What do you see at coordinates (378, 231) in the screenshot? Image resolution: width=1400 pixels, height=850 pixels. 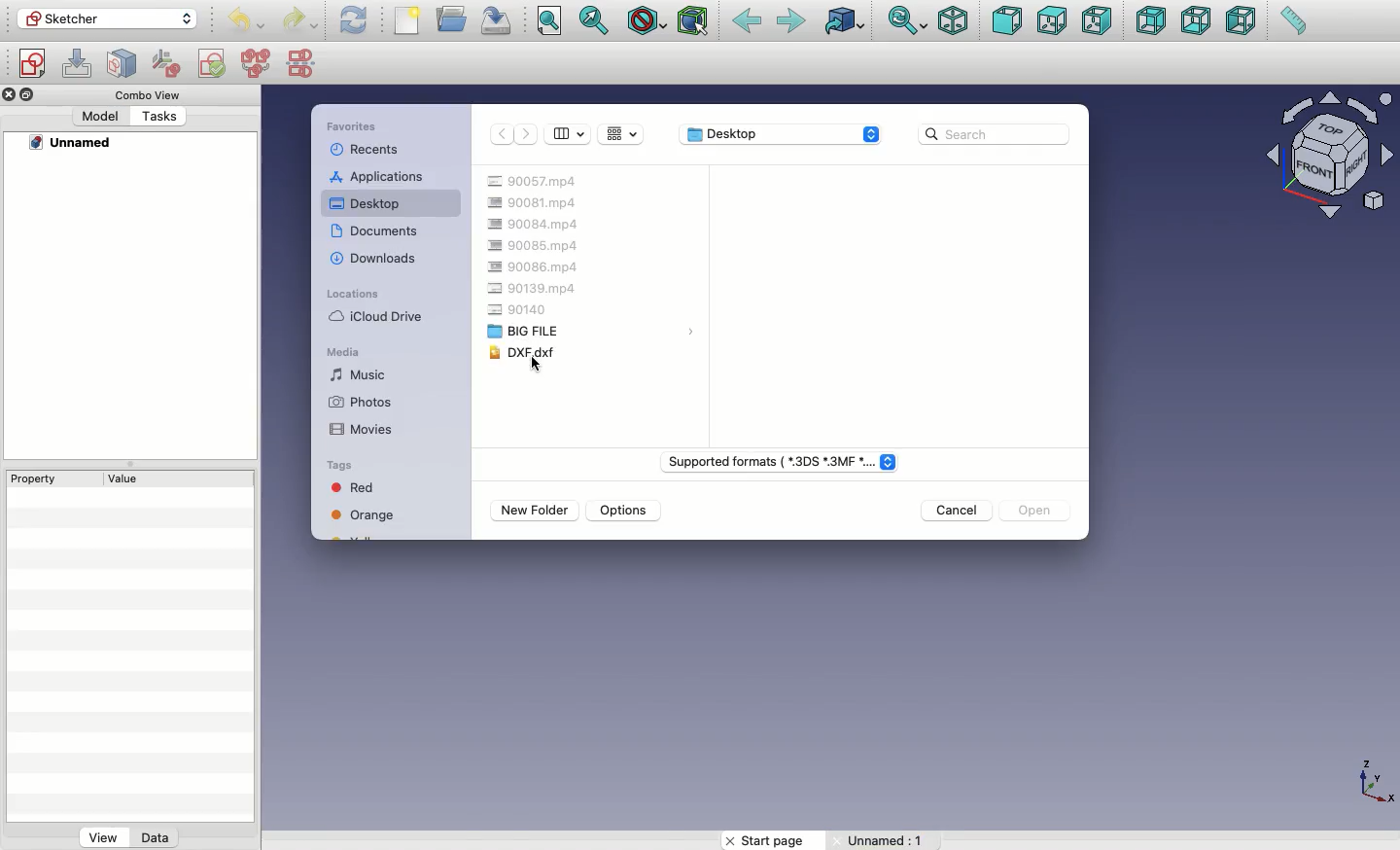 I see `Documents` at bounding box center [378, 231].